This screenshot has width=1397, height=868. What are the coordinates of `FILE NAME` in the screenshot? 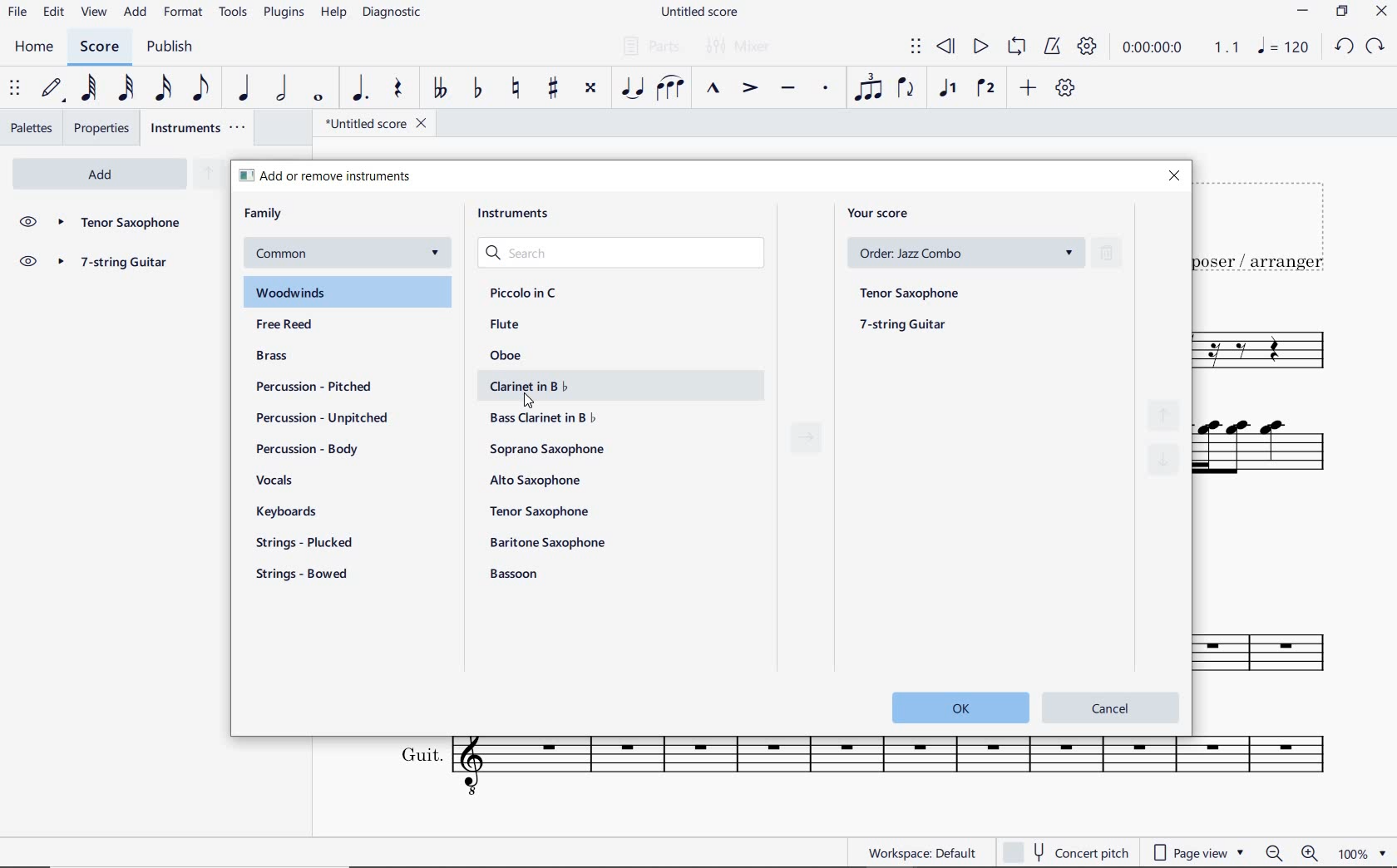 It's located at (698, 13).